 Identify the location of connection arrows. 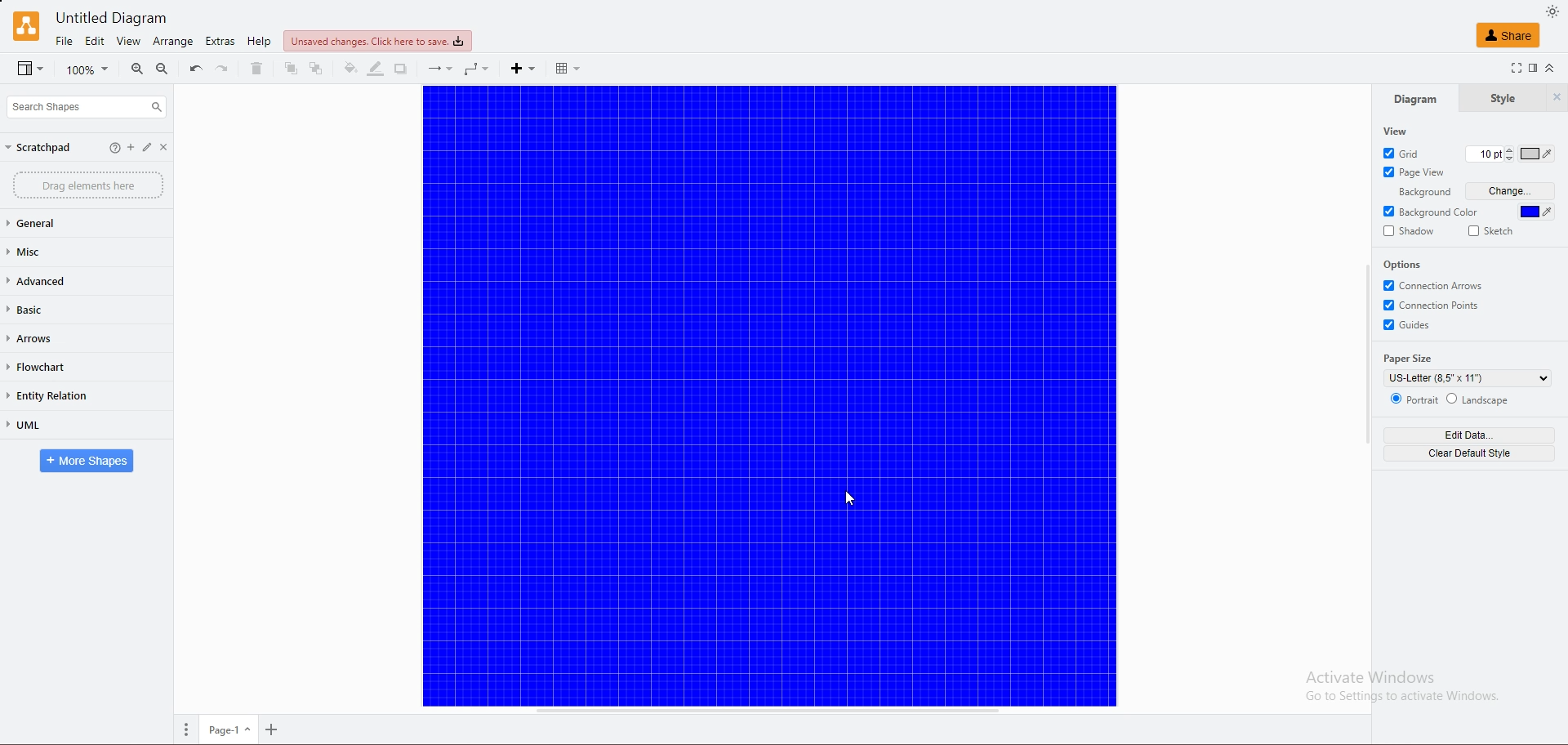
(1435, 285).